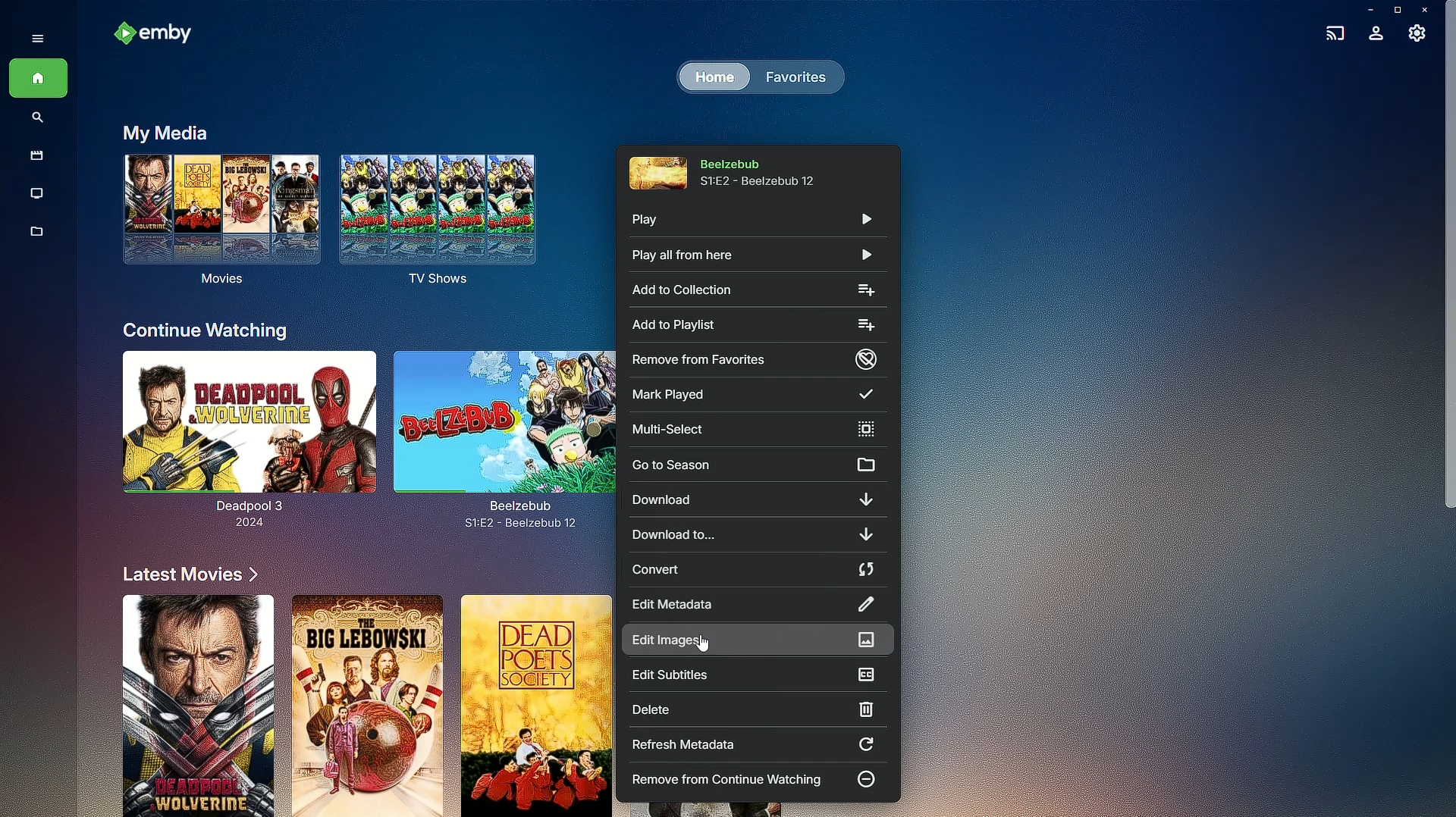 This screenshot has width=1456, height=817. I want to click on Download, so click(757, 501).